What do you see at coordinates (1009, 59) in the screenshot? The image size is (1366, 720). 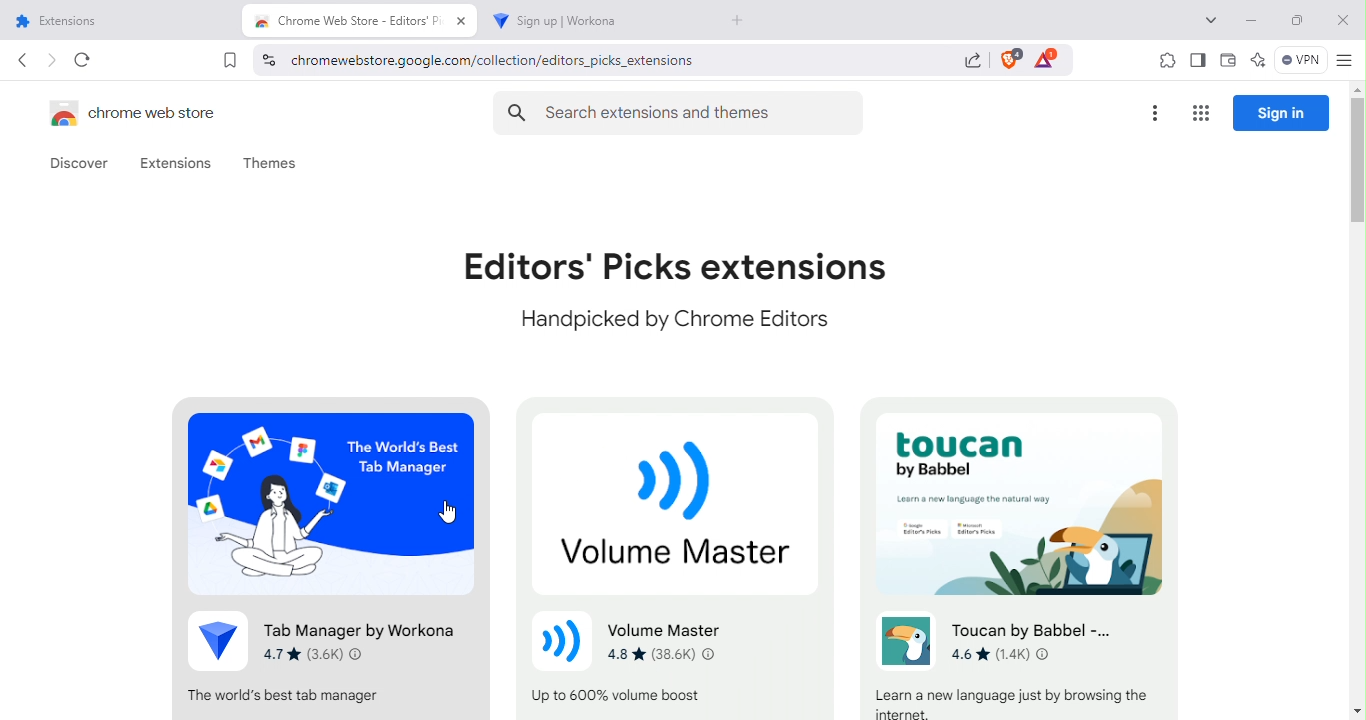 I see `Brave shields` at bounding box center [1009, 59].